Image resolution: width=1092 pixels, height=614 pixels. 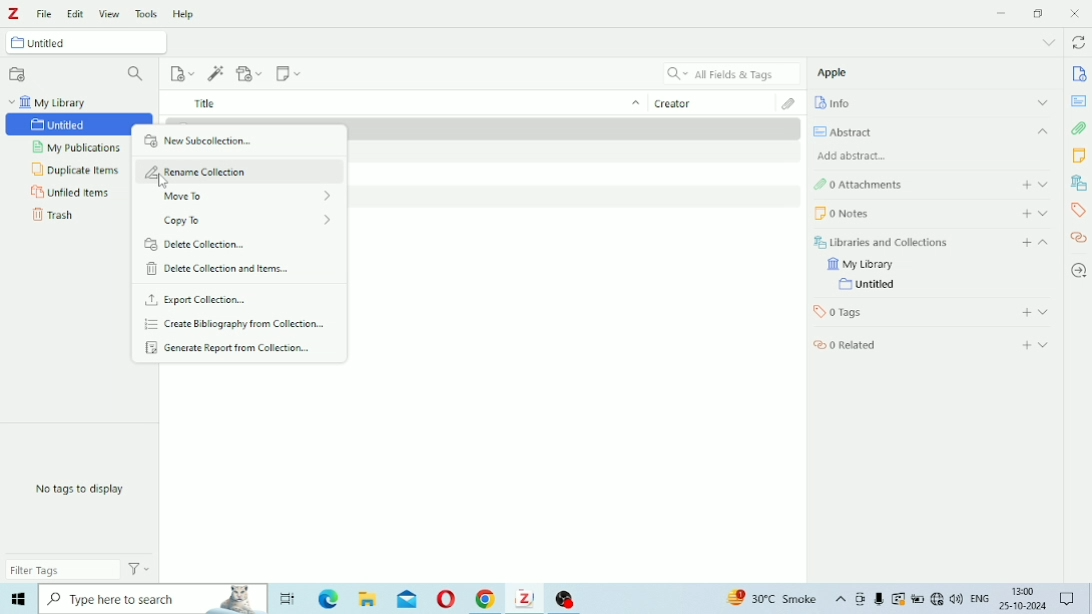 I want to click on , so click(x=565, y=598).